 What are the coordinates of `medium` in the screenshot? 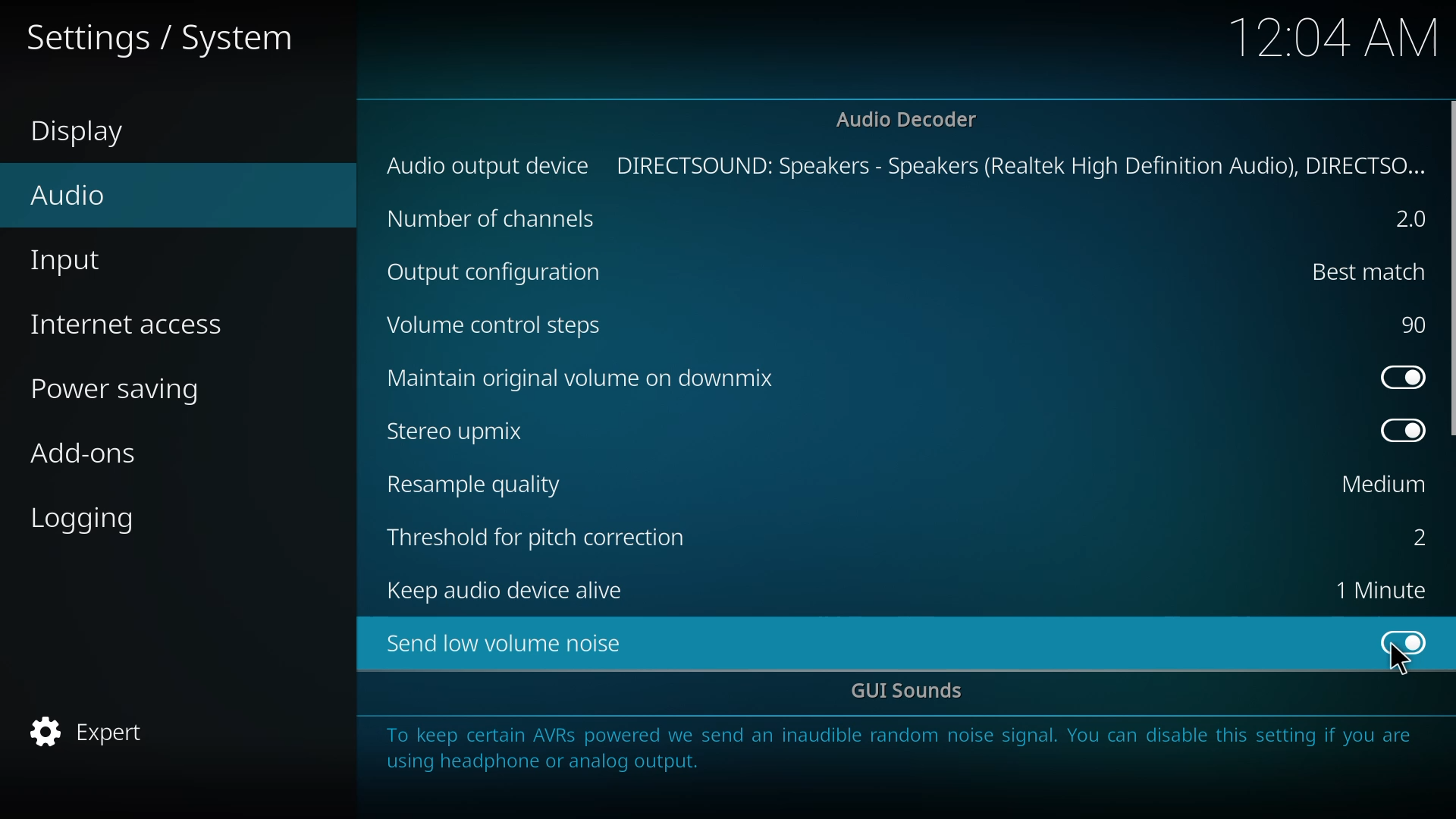 It's located at (1379, 486).